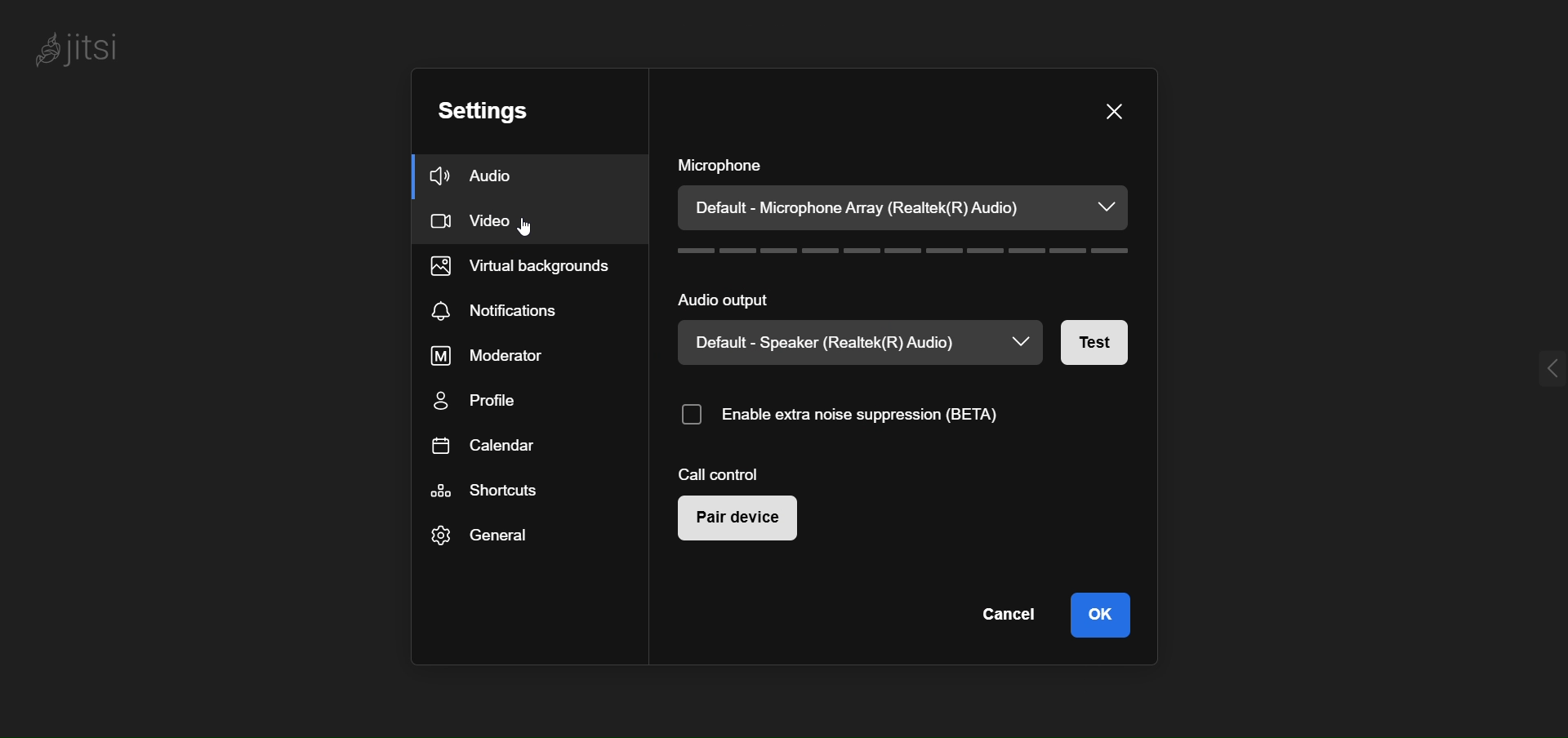 This screenshot has width=1568, height=738. Describe the element at coordinates (488, 491) in the screenshot. I see `shortcut` at that location.